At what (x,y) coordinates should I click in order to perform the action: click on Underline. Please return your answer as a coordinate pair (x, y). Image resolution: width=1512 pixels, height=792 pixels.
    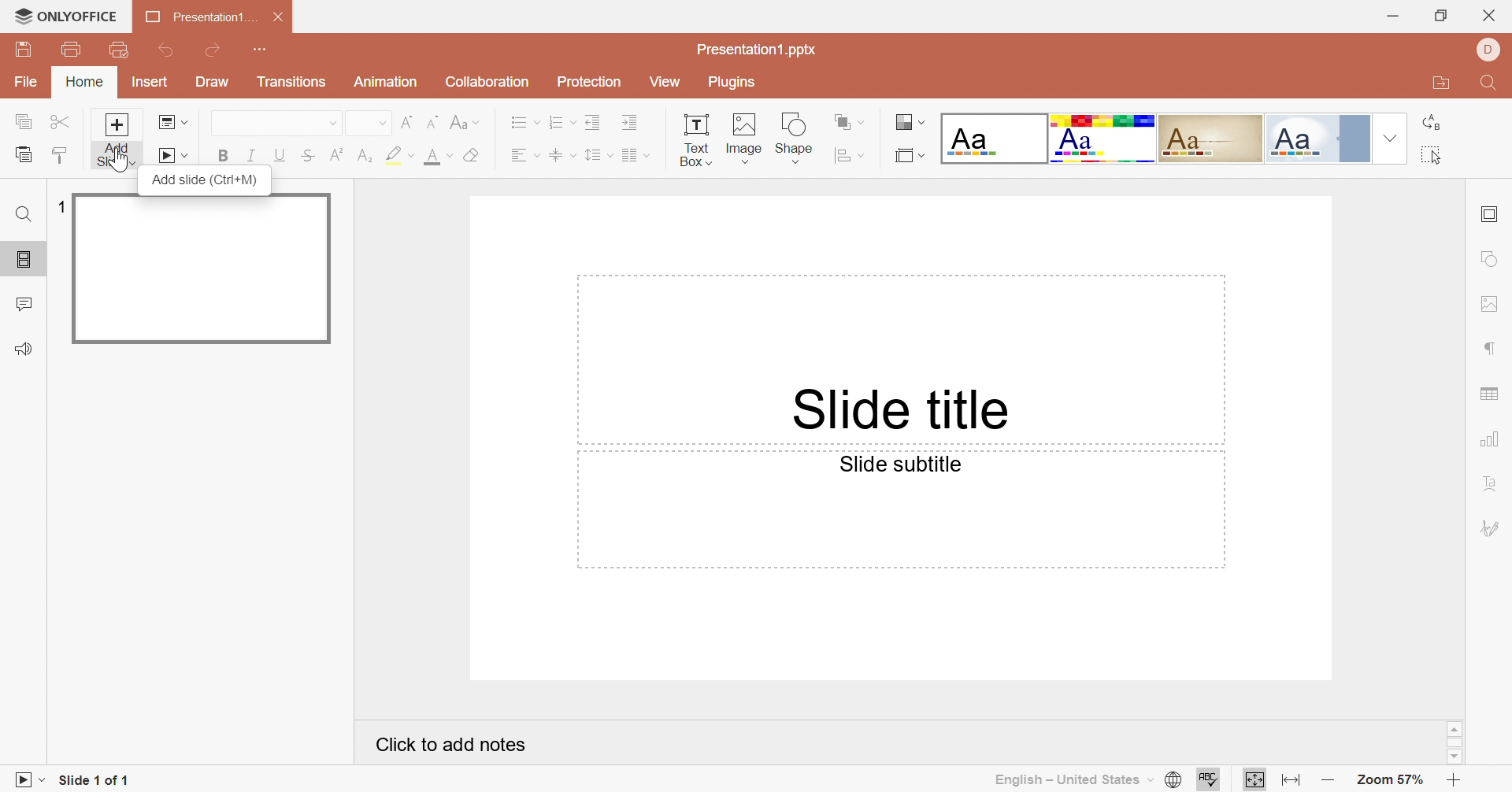
    Looking at the image, I should click on (279, 155).